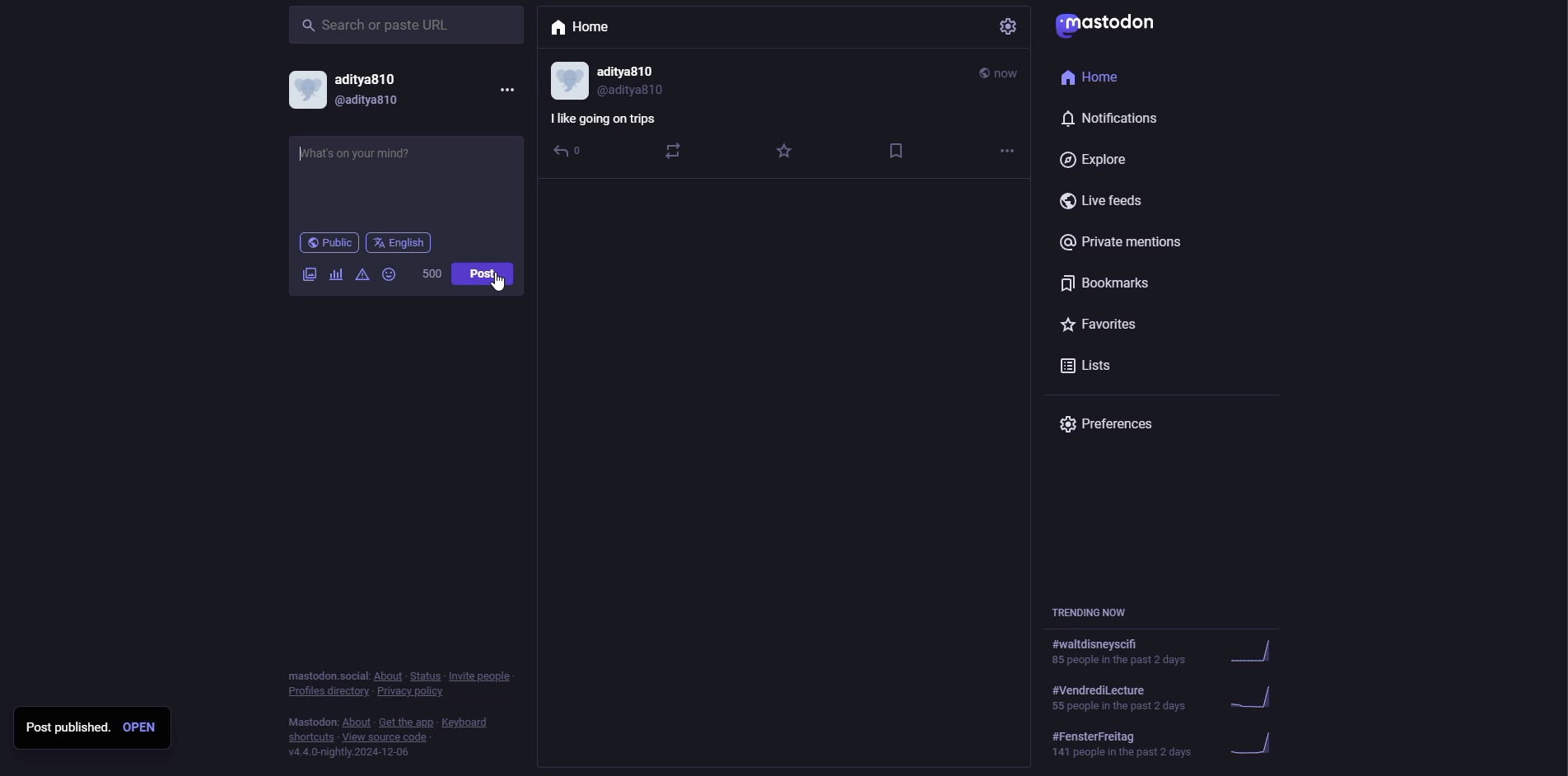 This screenshot has width=1568, height=776. I want to click on public, so click(329, 244).